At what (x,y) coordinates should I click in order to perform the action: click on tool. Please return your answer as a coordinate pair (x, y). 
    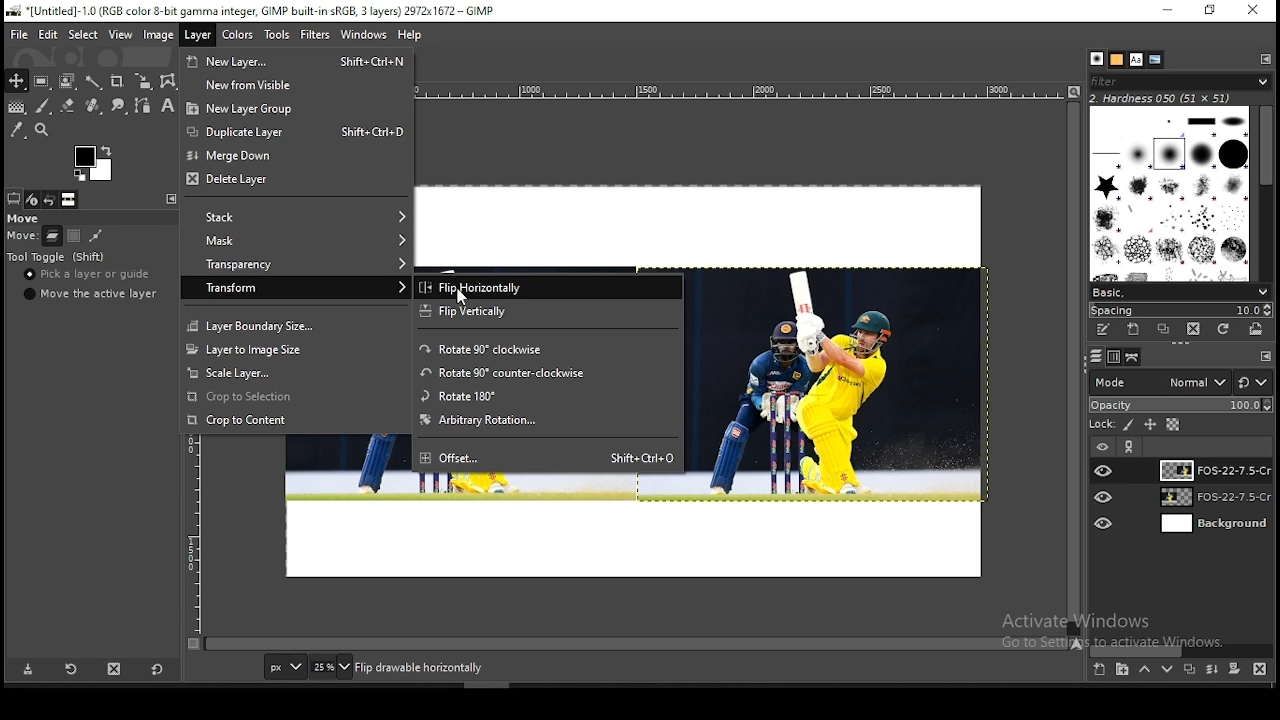
    Looking at the image, I should click on (1265, 58).